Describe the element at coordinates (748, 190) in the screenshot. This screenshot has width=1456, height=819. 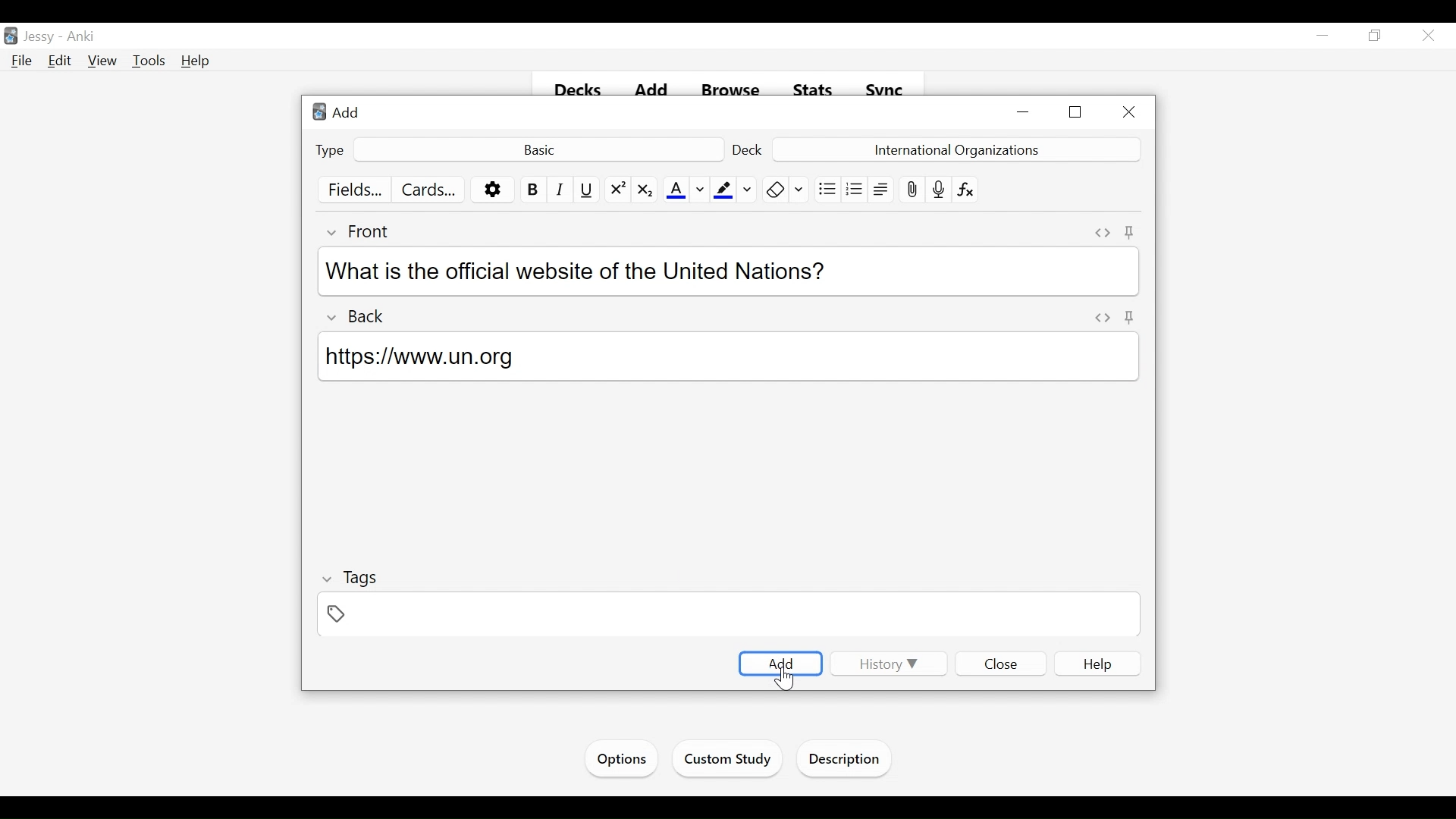
I see `Change Color` at that location.